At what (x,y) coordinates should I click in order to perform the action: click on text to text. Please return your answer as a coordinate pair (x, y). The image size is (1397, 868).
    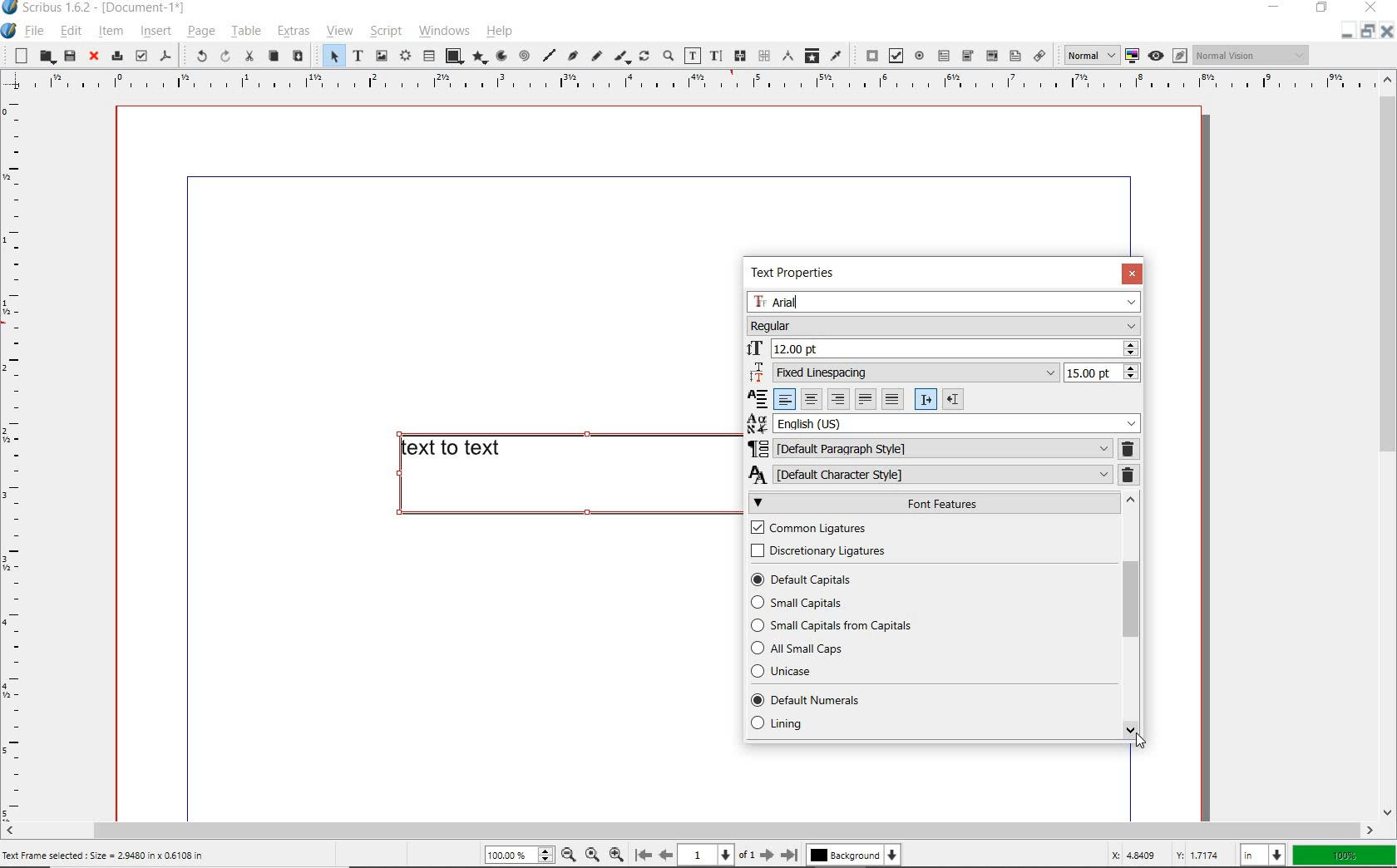
    Looking at the image, I should click on (562, 474).